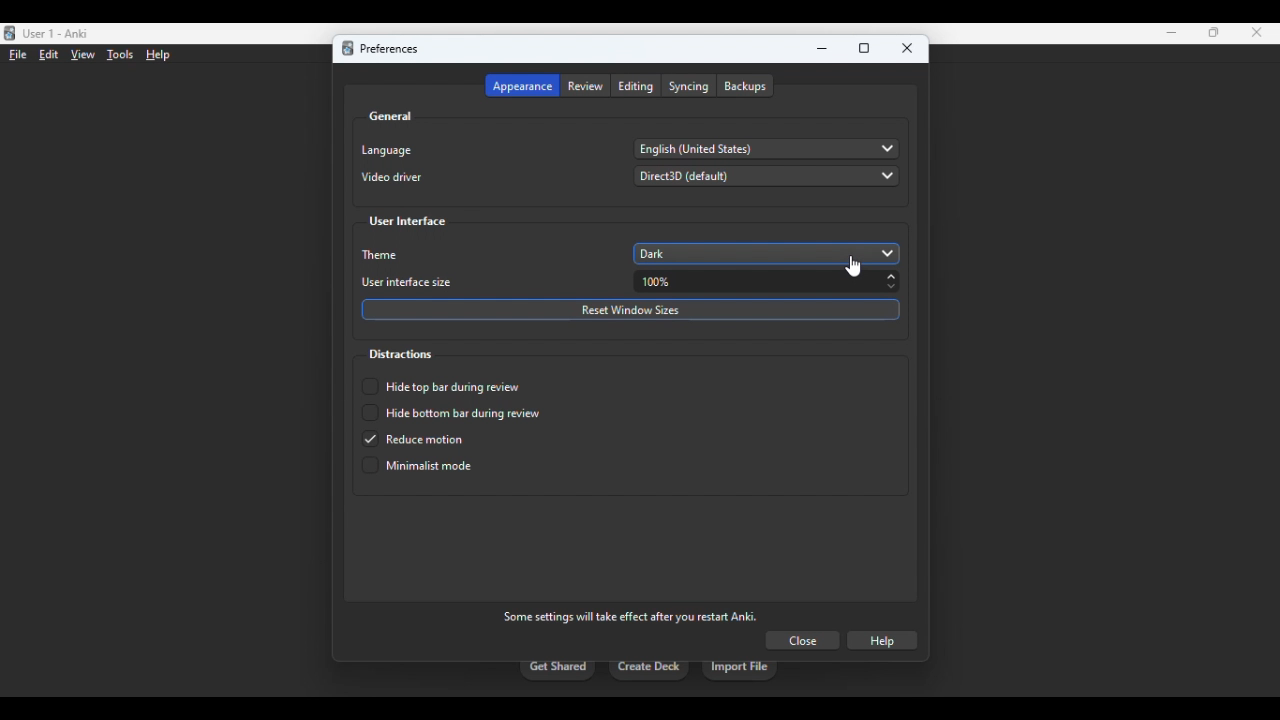 The height and width of the screenshot is (720, 1280). I want to click on editing, so click(637, 86).